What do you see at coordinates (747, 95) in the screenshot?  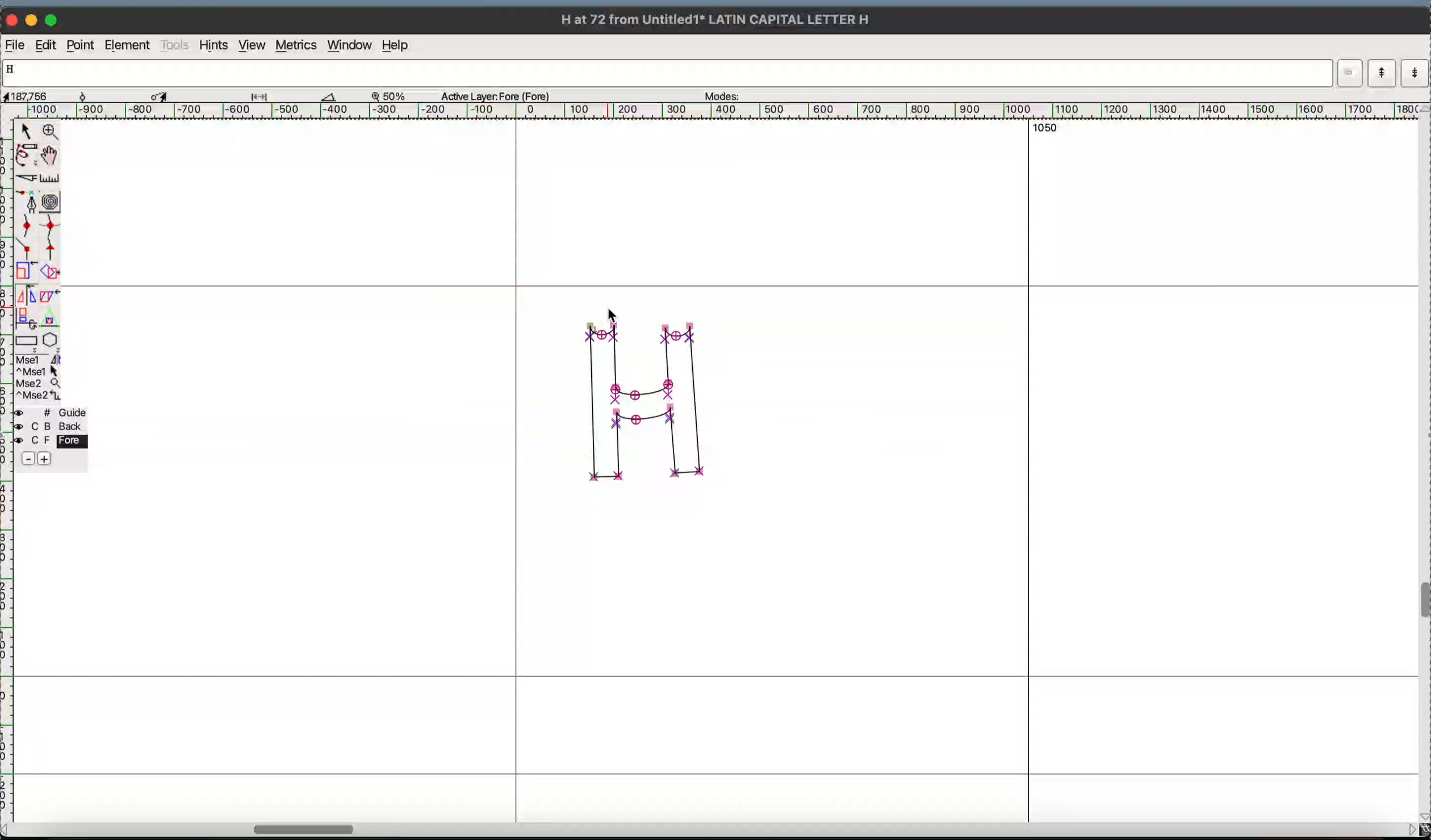 I see `modes` at bounding box center [747, 95].